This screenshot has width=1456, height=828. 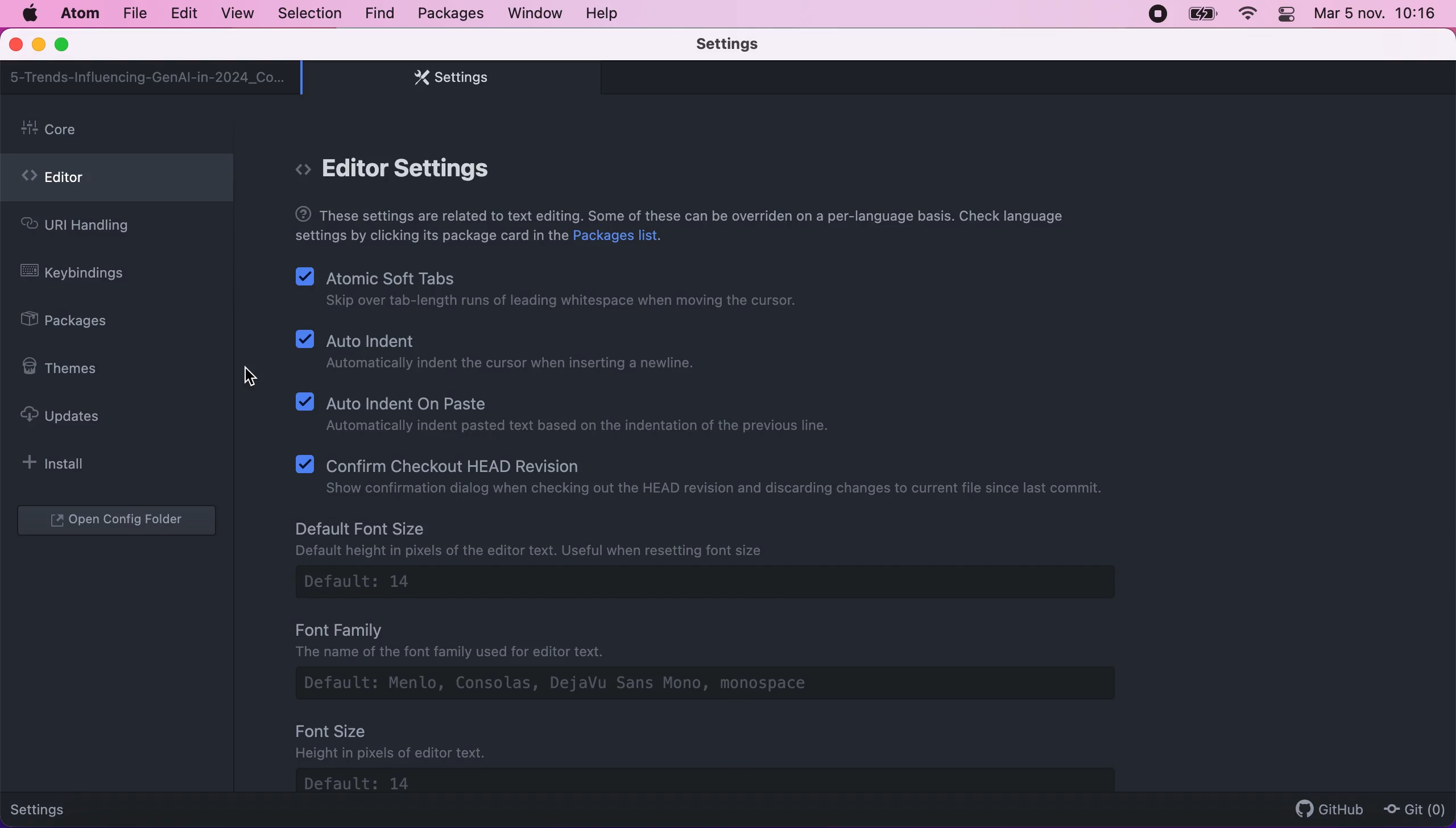 I want to click on window, so click(x=536, y=13).